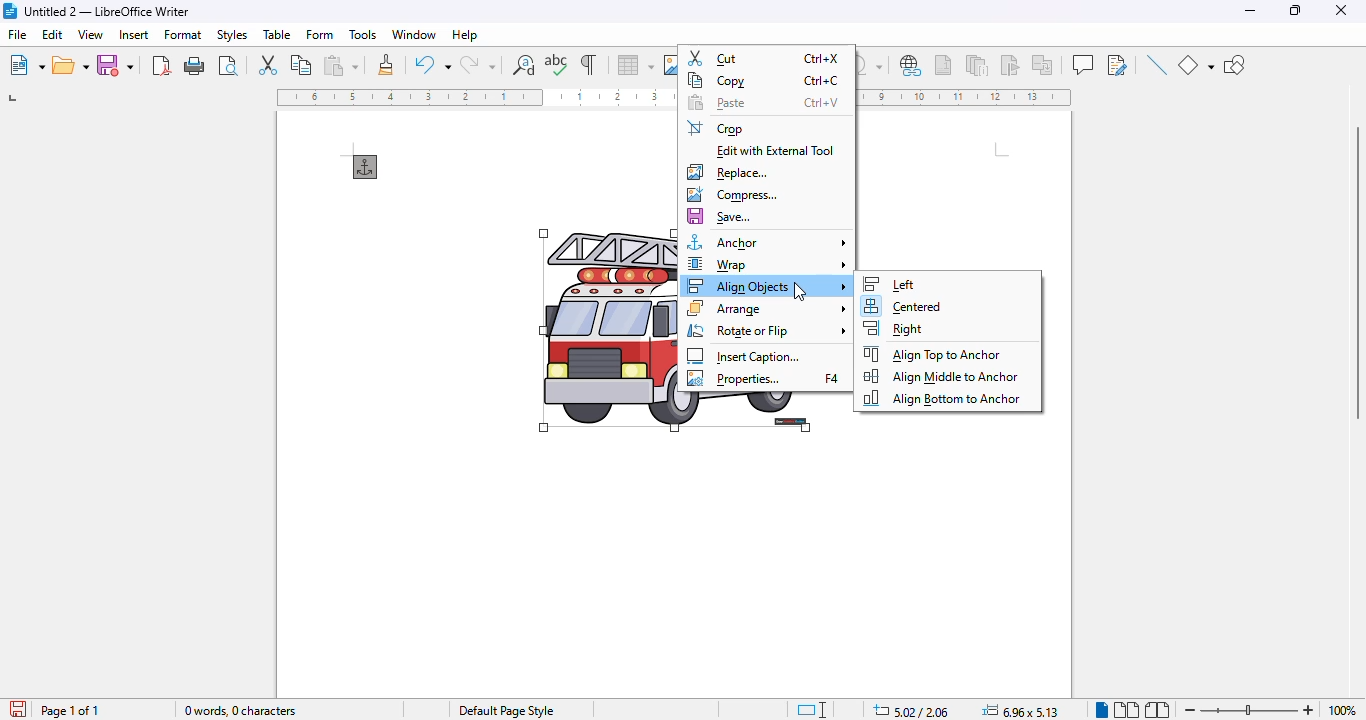  What do you see at coordinates (162, 65) in the screenshot?
I see `export directly as PDF` at bounding box center [162, 65].